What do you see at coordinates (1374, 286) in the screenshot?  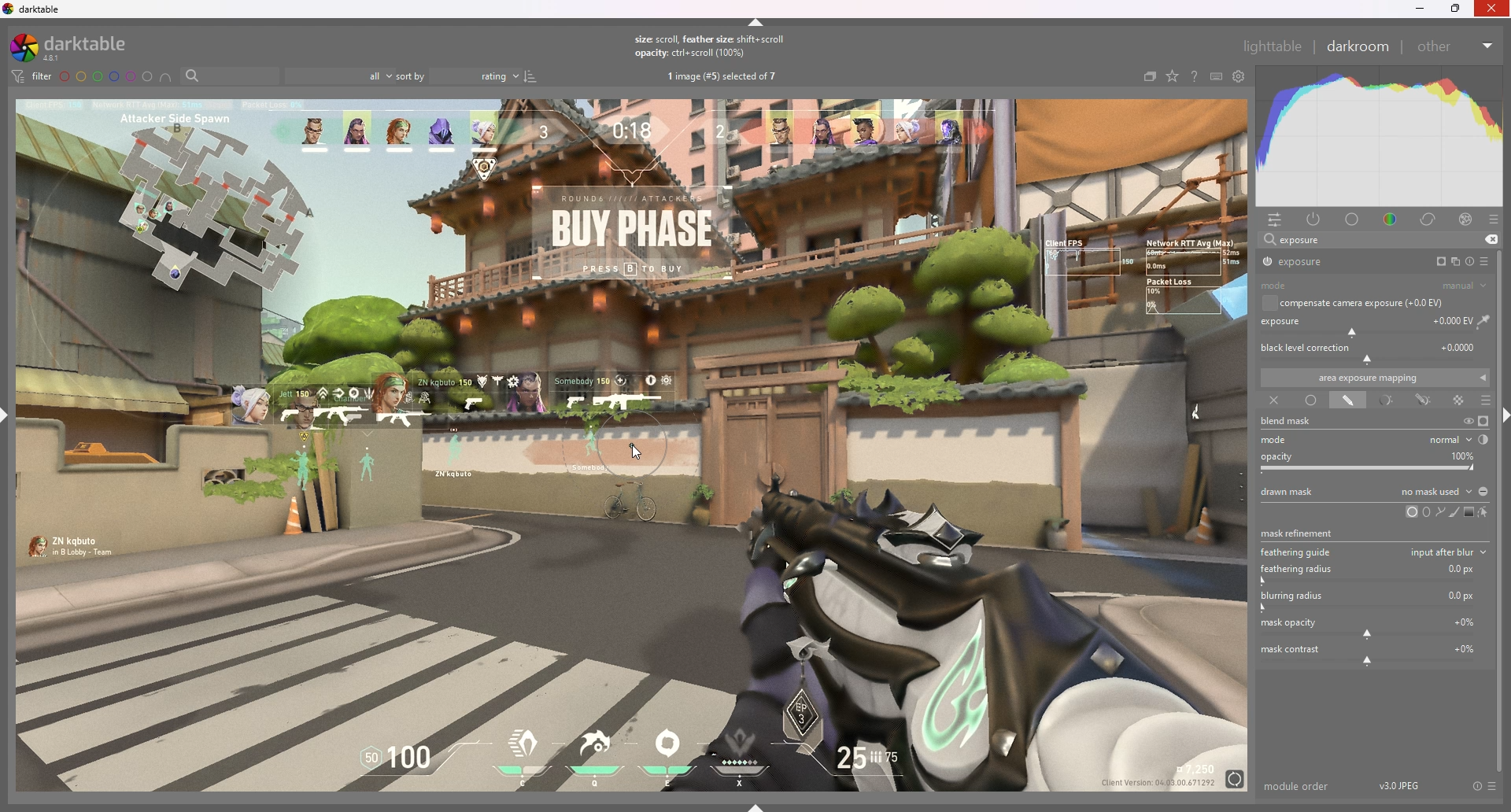 I see `mode` at bounding box center [1374, 286].